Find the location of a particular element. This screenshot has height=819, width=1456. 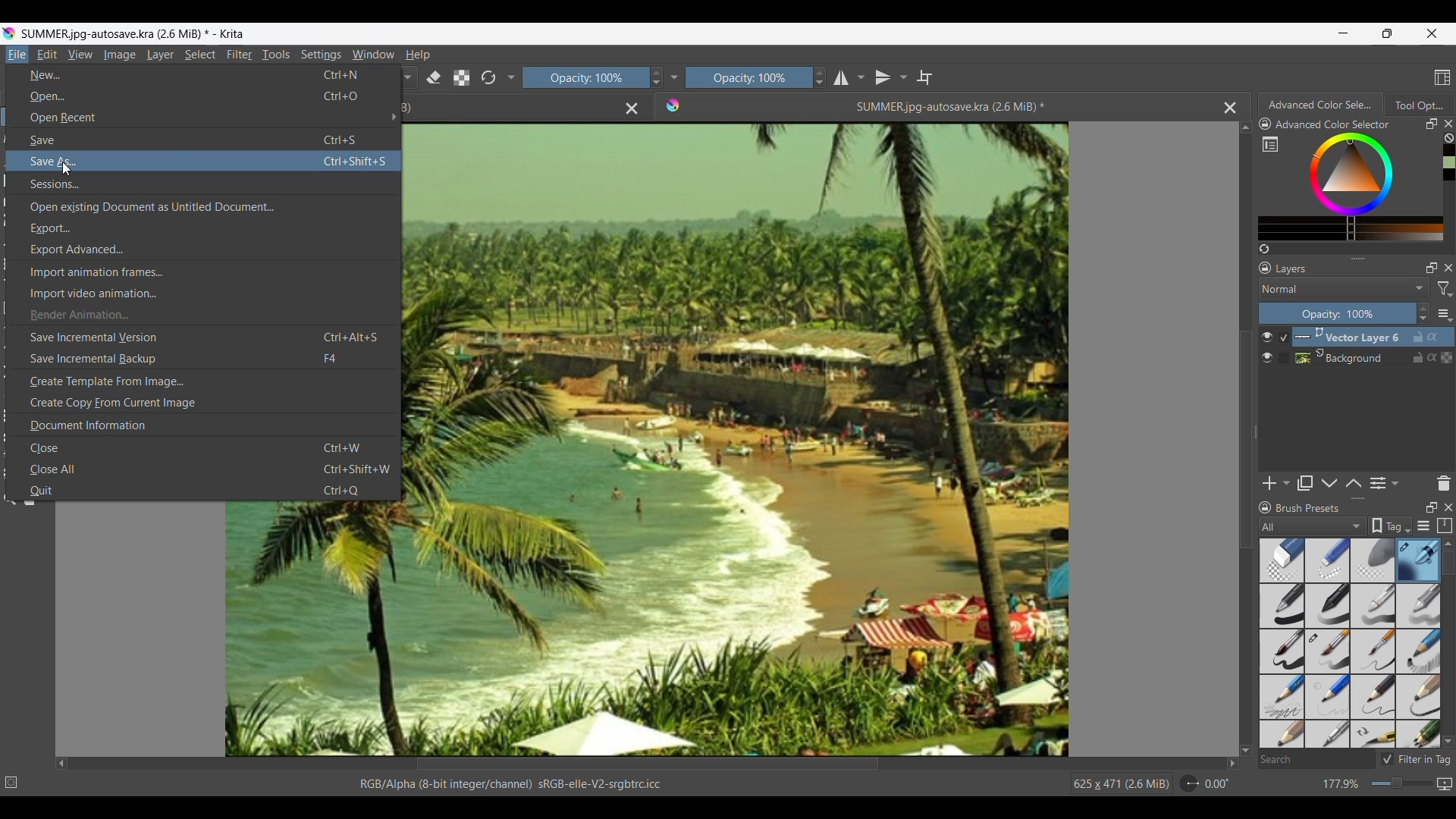

File details is located at coordinates (510, 784).